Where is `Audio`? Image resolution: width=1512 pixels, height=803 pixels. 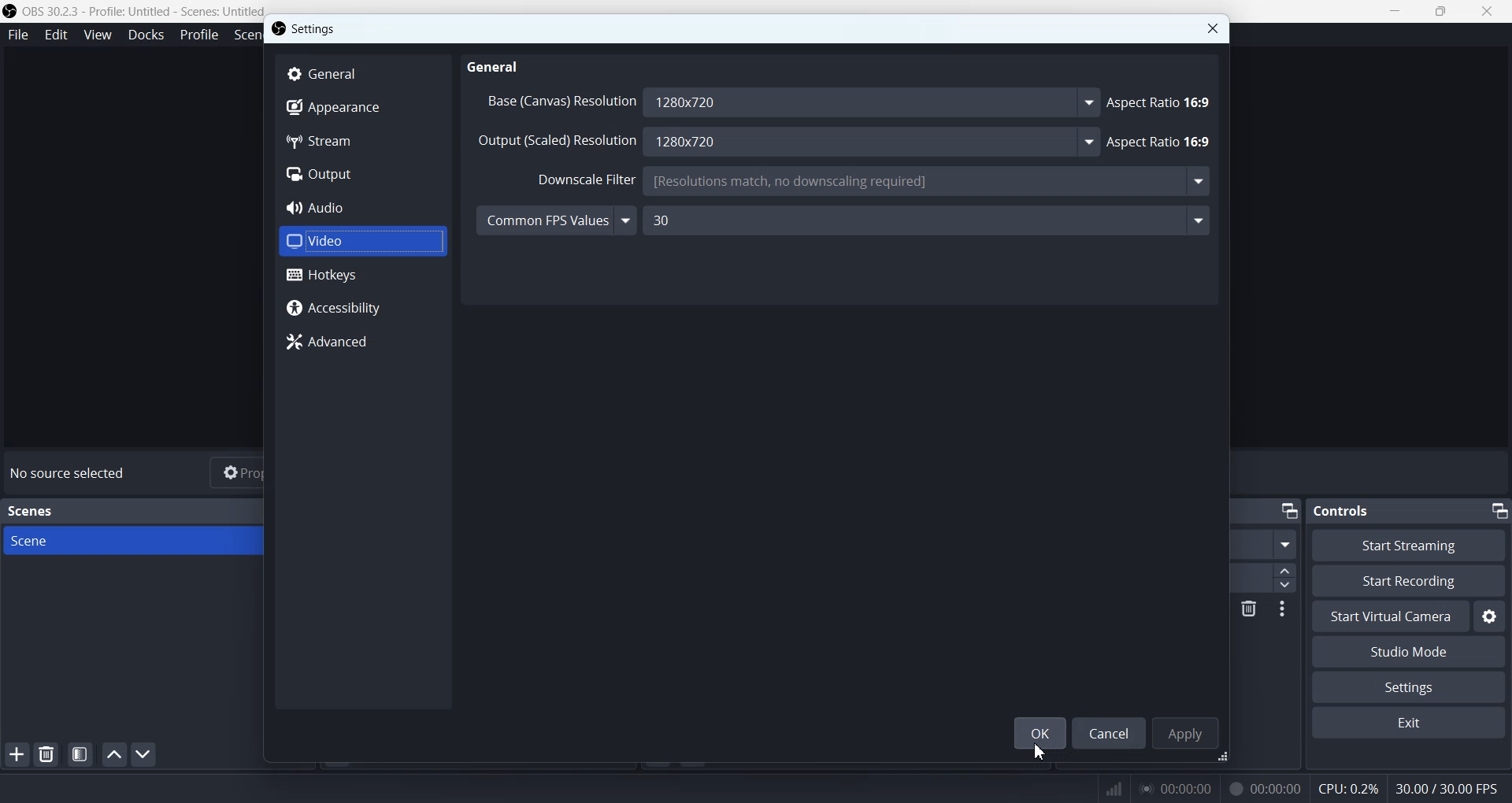
Audio is located at coordinates (361, 208).